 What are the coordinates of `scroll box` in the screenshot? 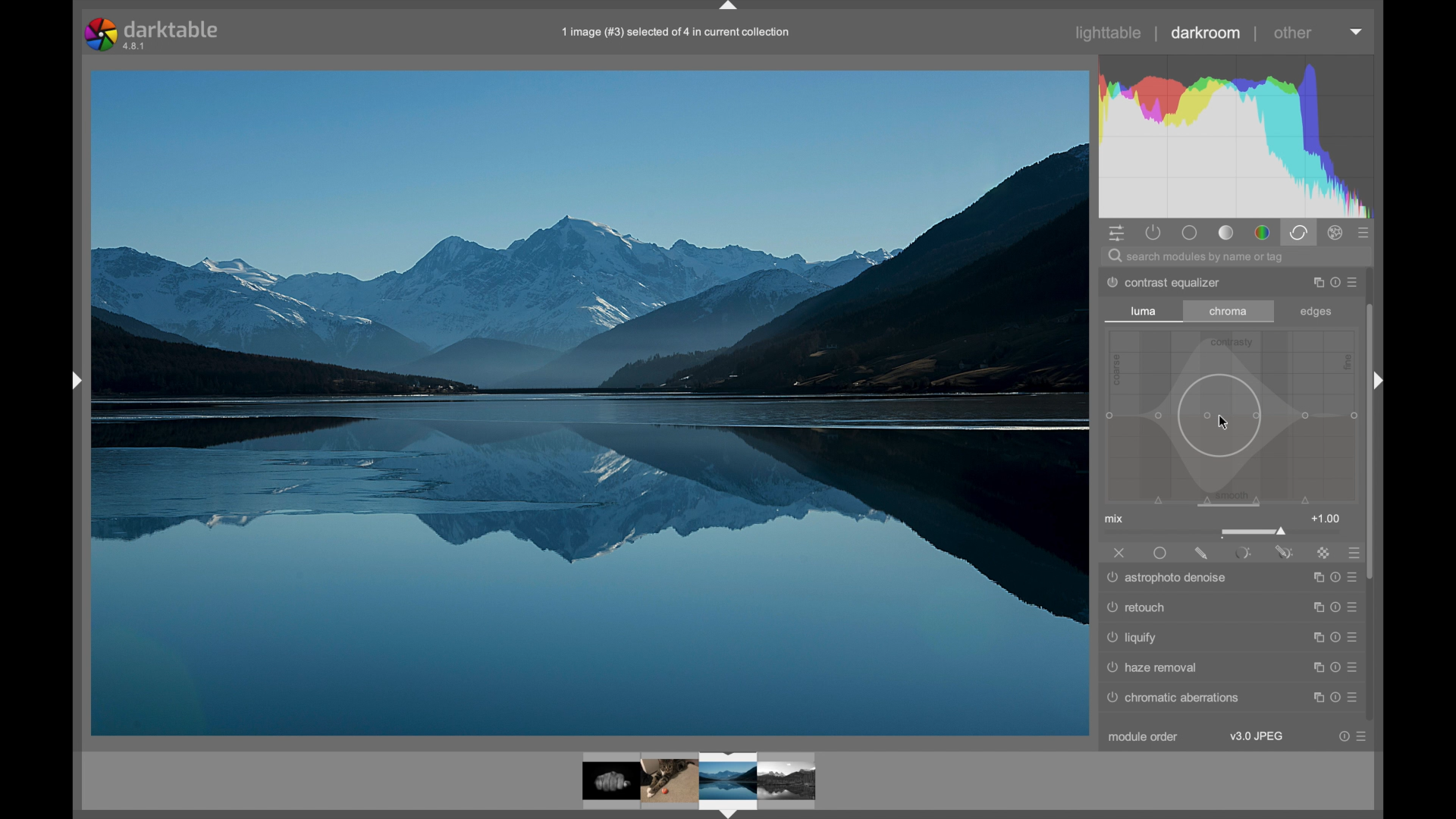 It's located at (1370, 482).